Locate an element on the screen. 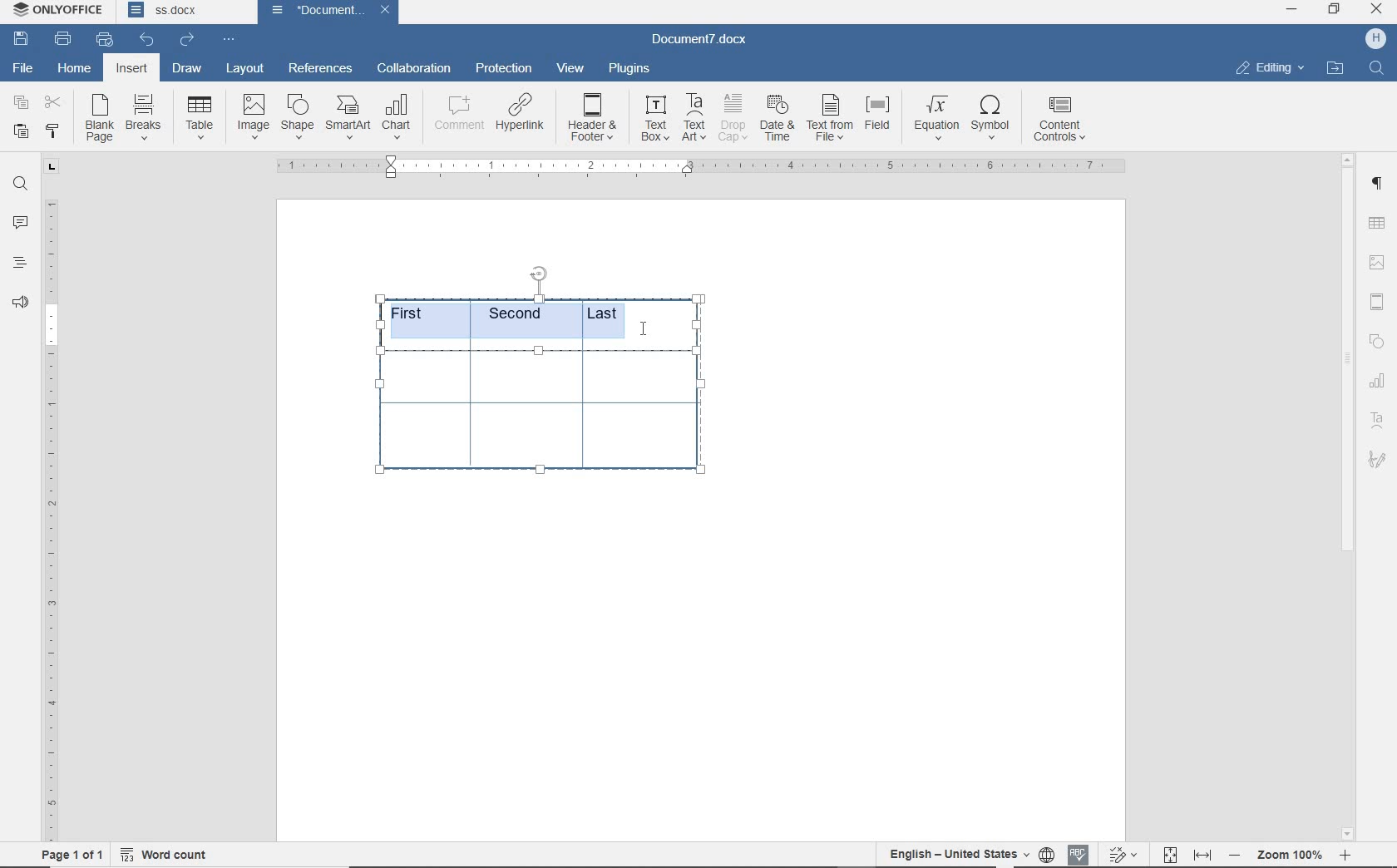 This screenshot has height=868, width=1397. equation is located at coordinates (937, 119).